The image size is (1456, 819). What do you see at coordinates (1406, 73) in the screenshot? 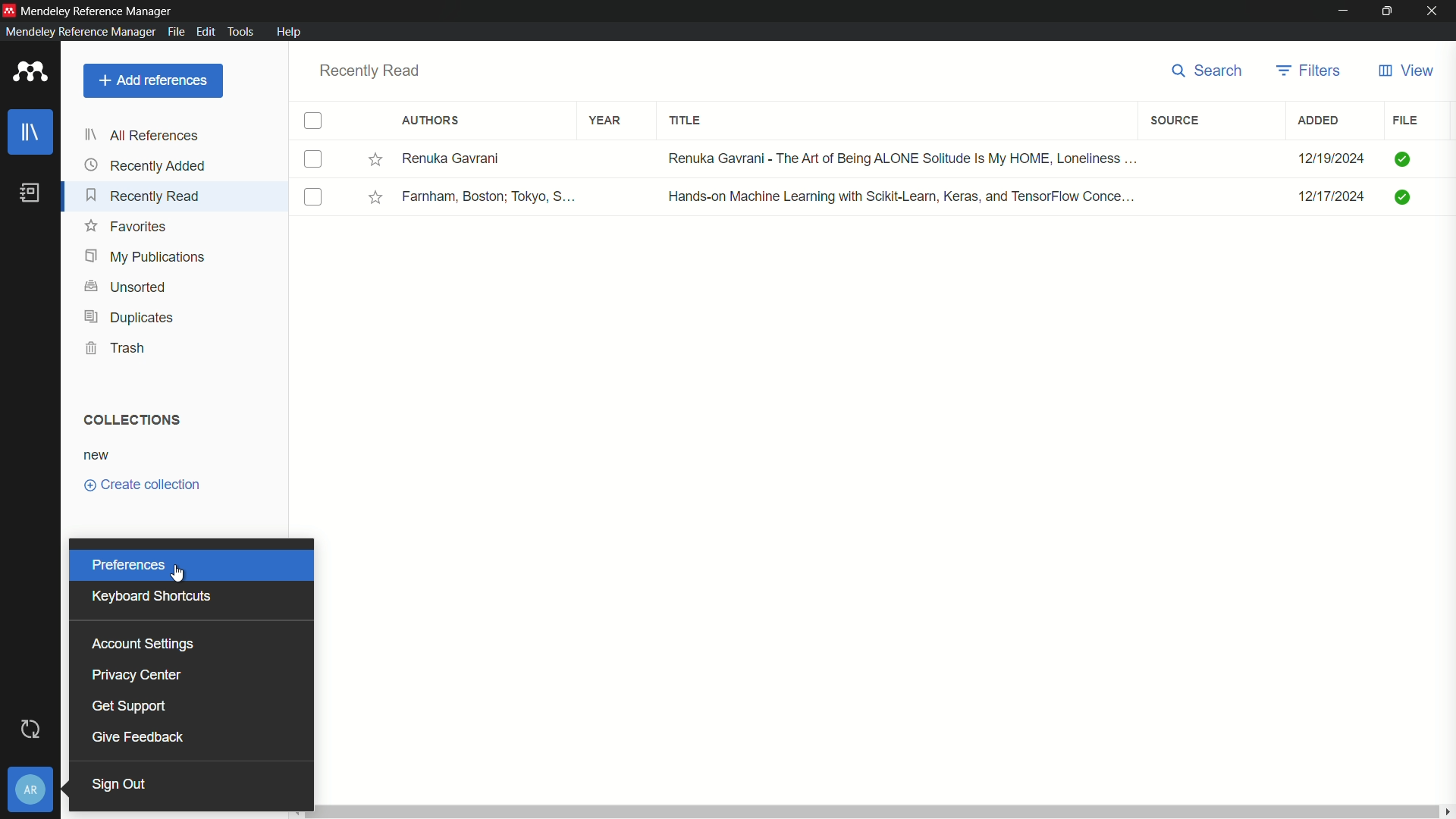
I see `view` at bounding box center [1406, 73].